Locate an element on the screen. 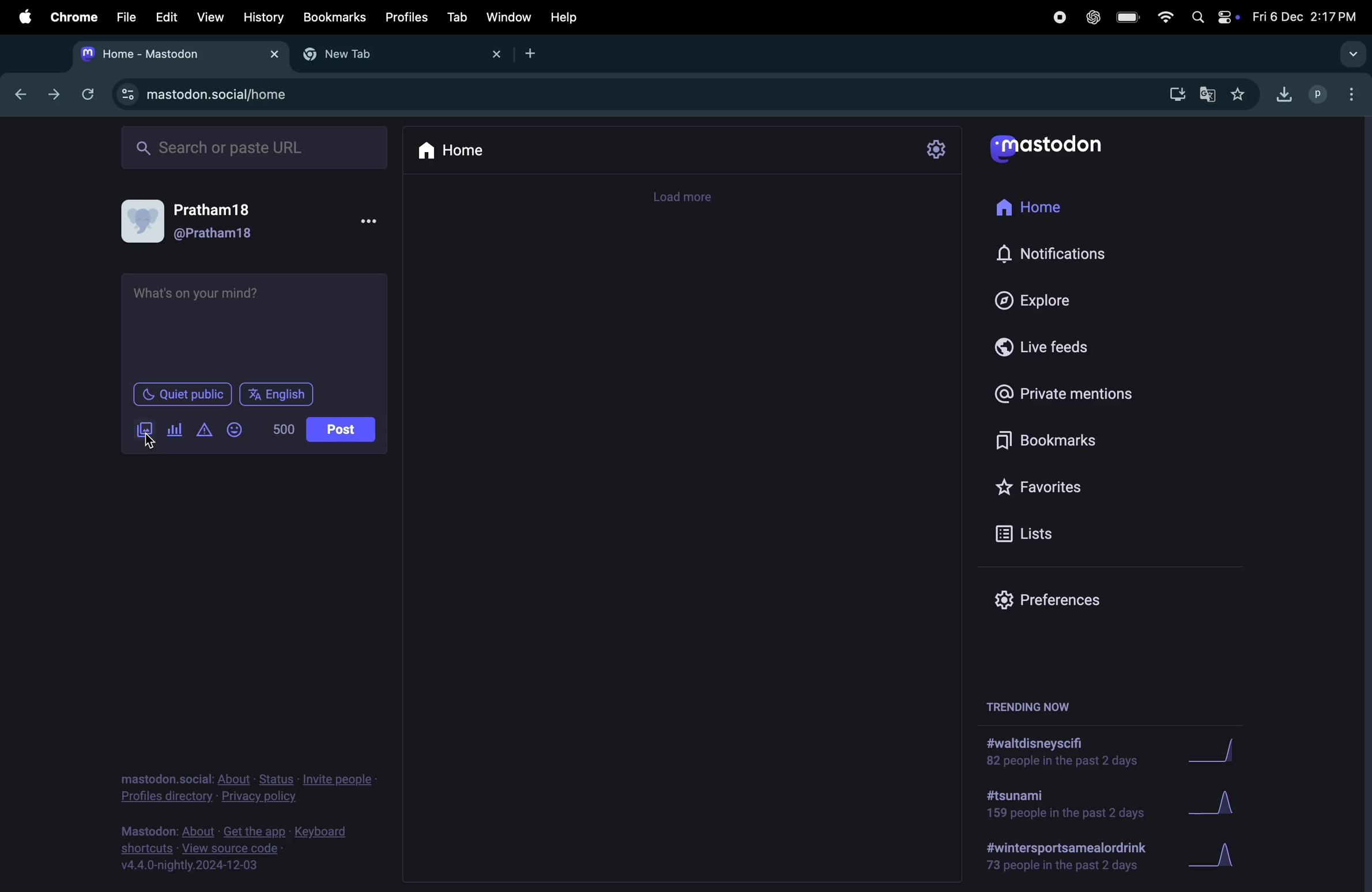  create alert is located at coordinates (203, 433).